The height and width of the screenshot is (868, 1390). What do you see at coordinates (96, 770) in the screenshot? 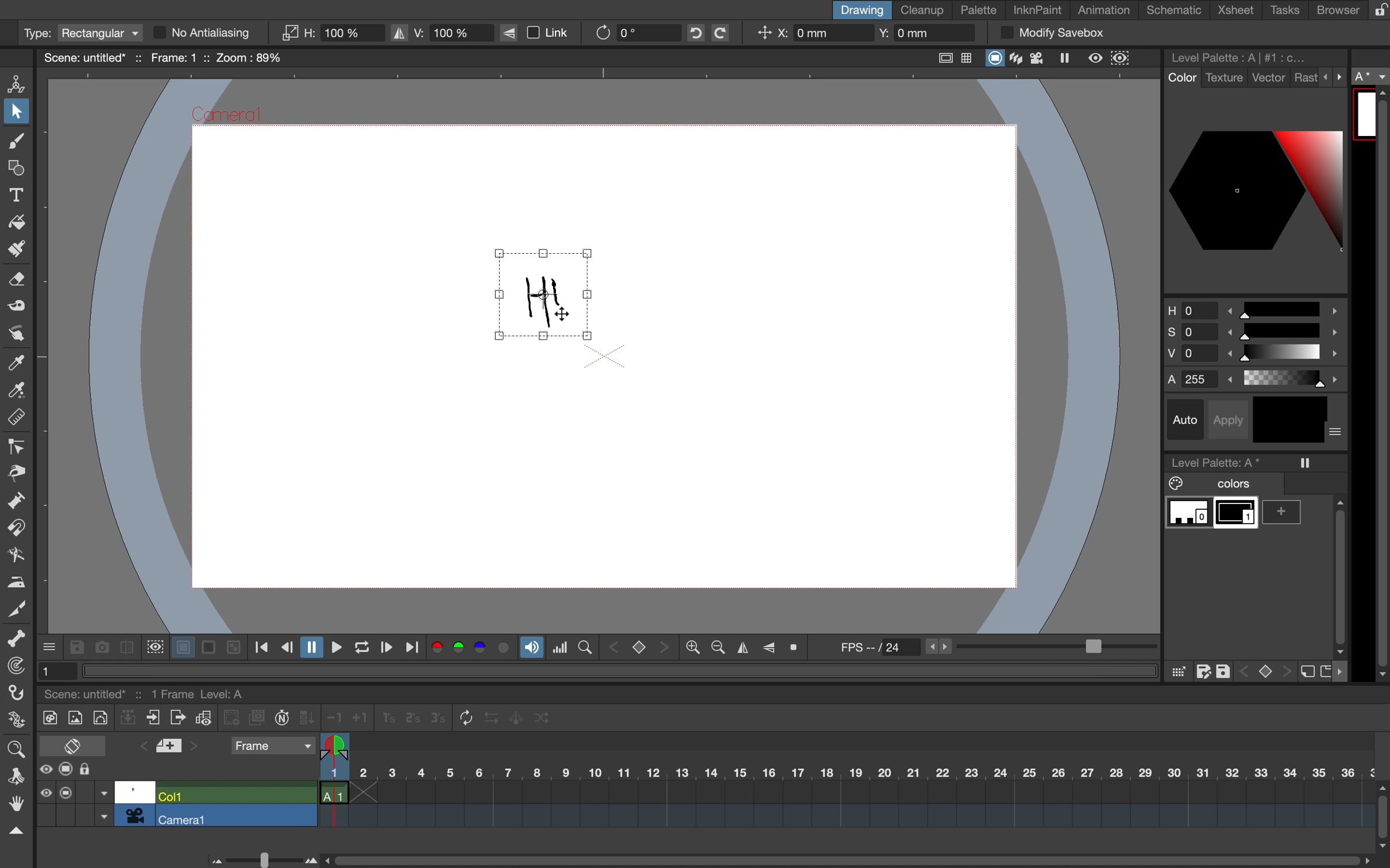
I see `lock toggle all` at bounding box center [96, 770].